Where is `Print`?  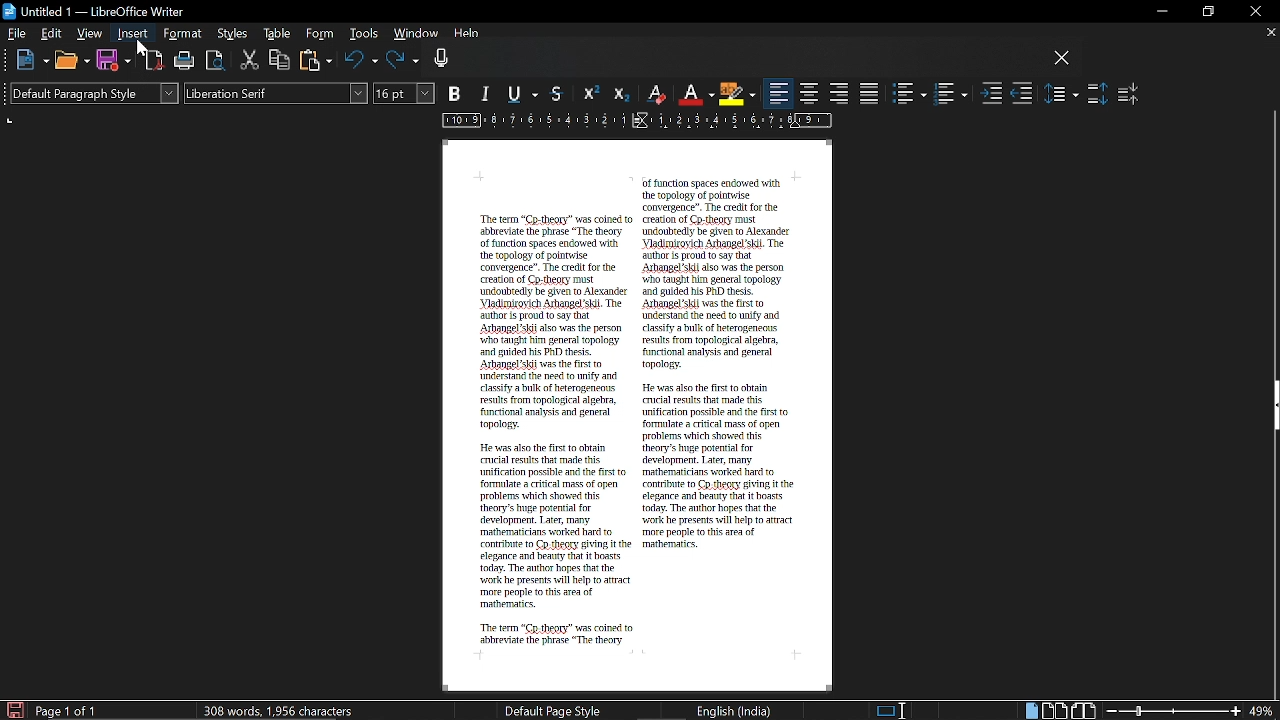
Print is located at coordinates (186, 62).